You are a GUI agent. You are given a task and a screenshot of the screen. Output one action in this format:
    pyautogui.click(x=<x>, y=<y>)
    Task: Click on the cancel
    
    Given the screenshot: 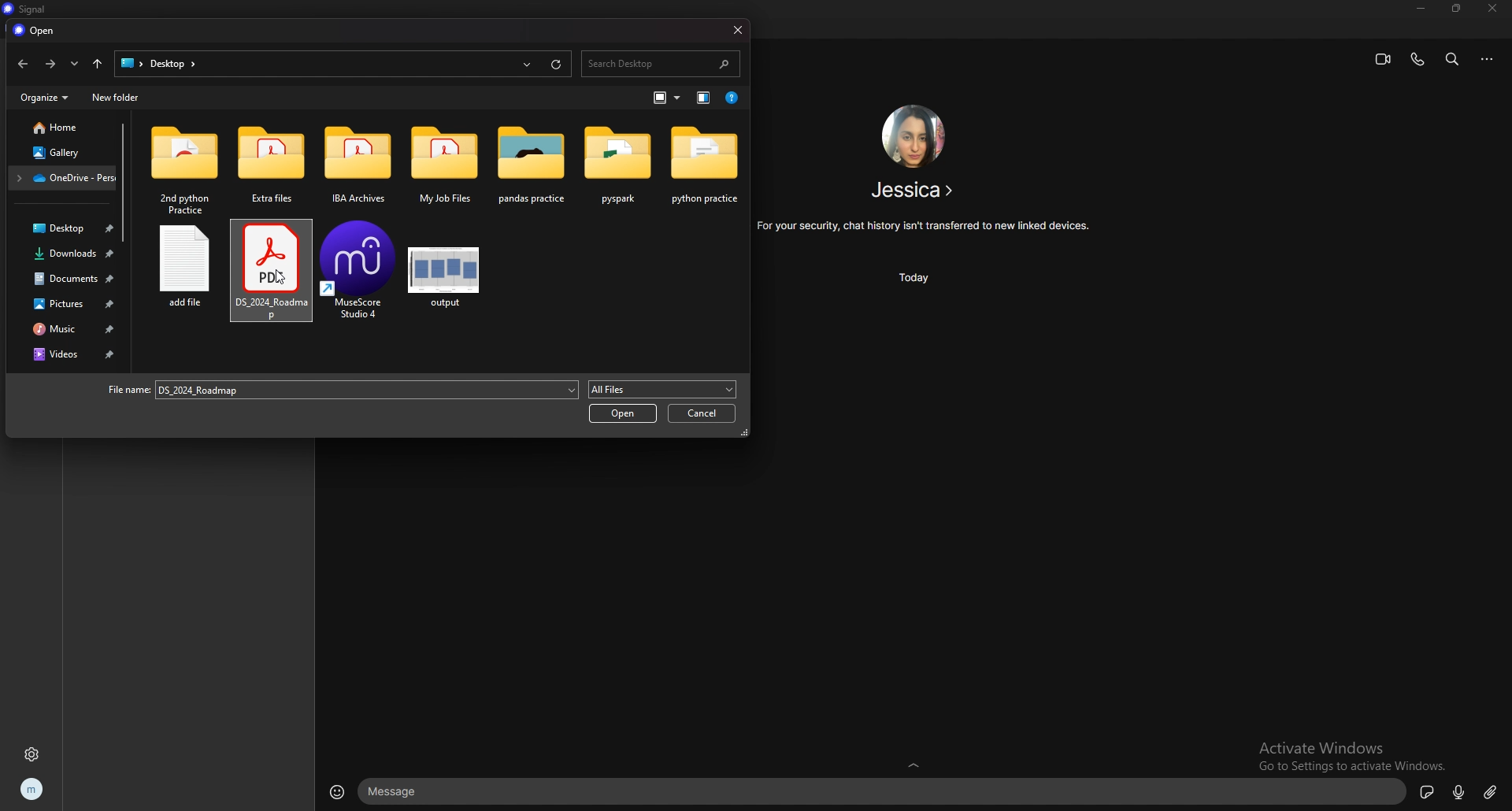 What is the action you would take?
    pyautogui.click(x=701, y=413)
    